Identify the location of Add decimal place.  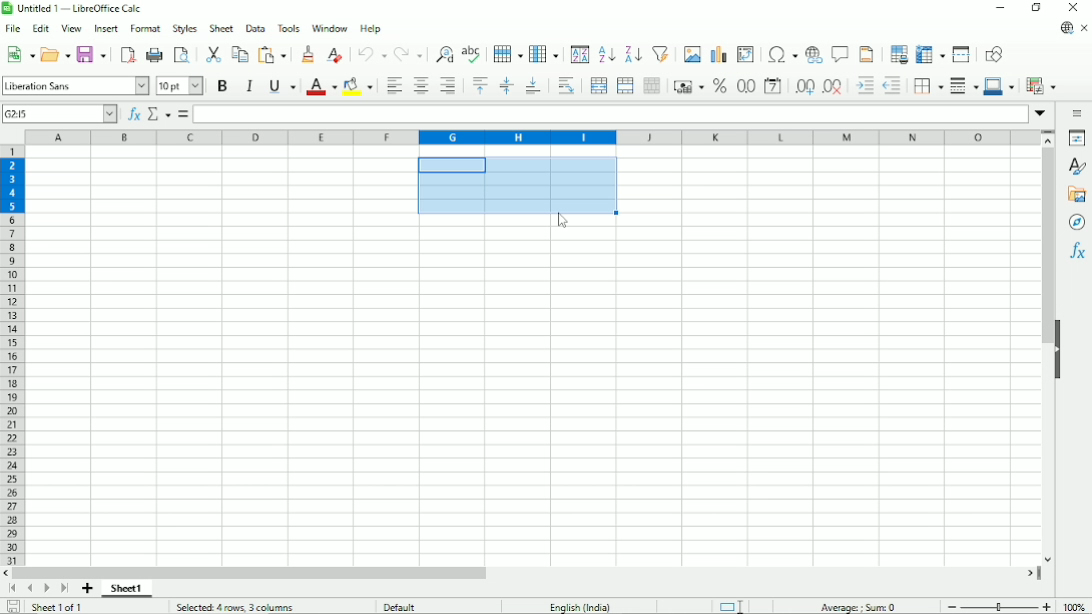
(804, 88).